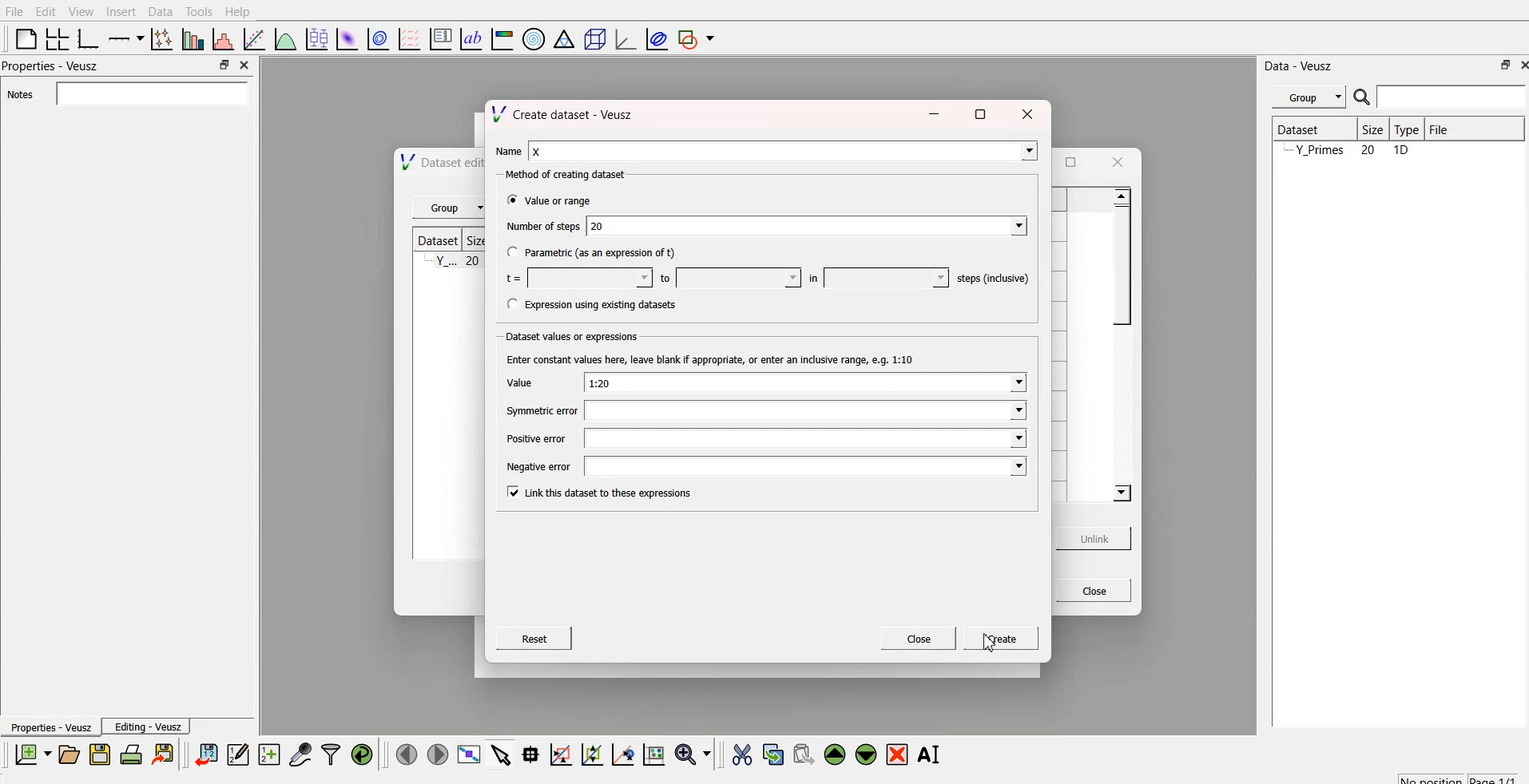  Describe the element at coordinates (410, 38) in the screenshot. I see `plot a vector field` at that location.